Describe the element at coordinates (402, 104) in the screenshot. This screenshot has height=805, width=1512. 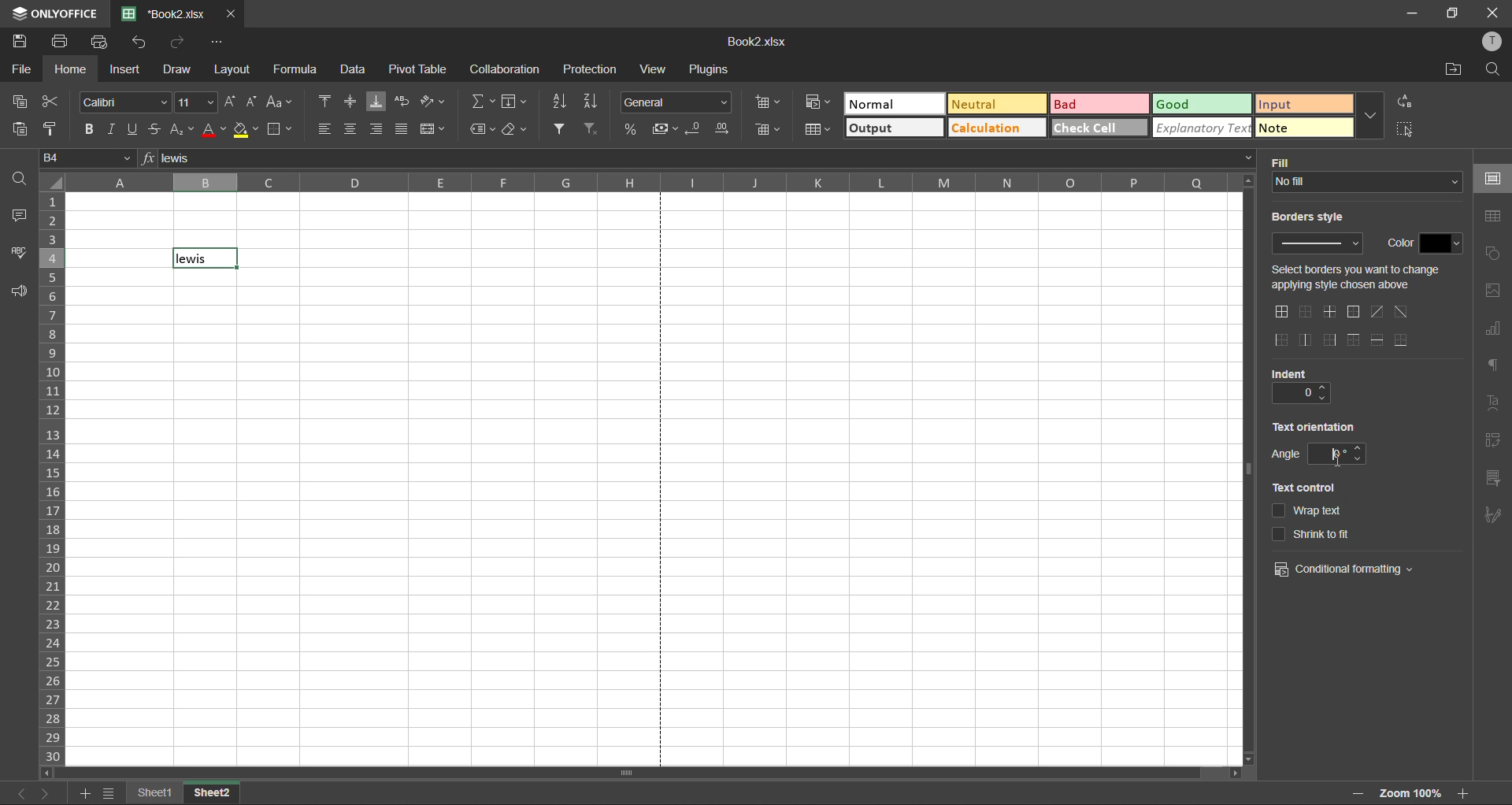
I see `wrap text` at that location.